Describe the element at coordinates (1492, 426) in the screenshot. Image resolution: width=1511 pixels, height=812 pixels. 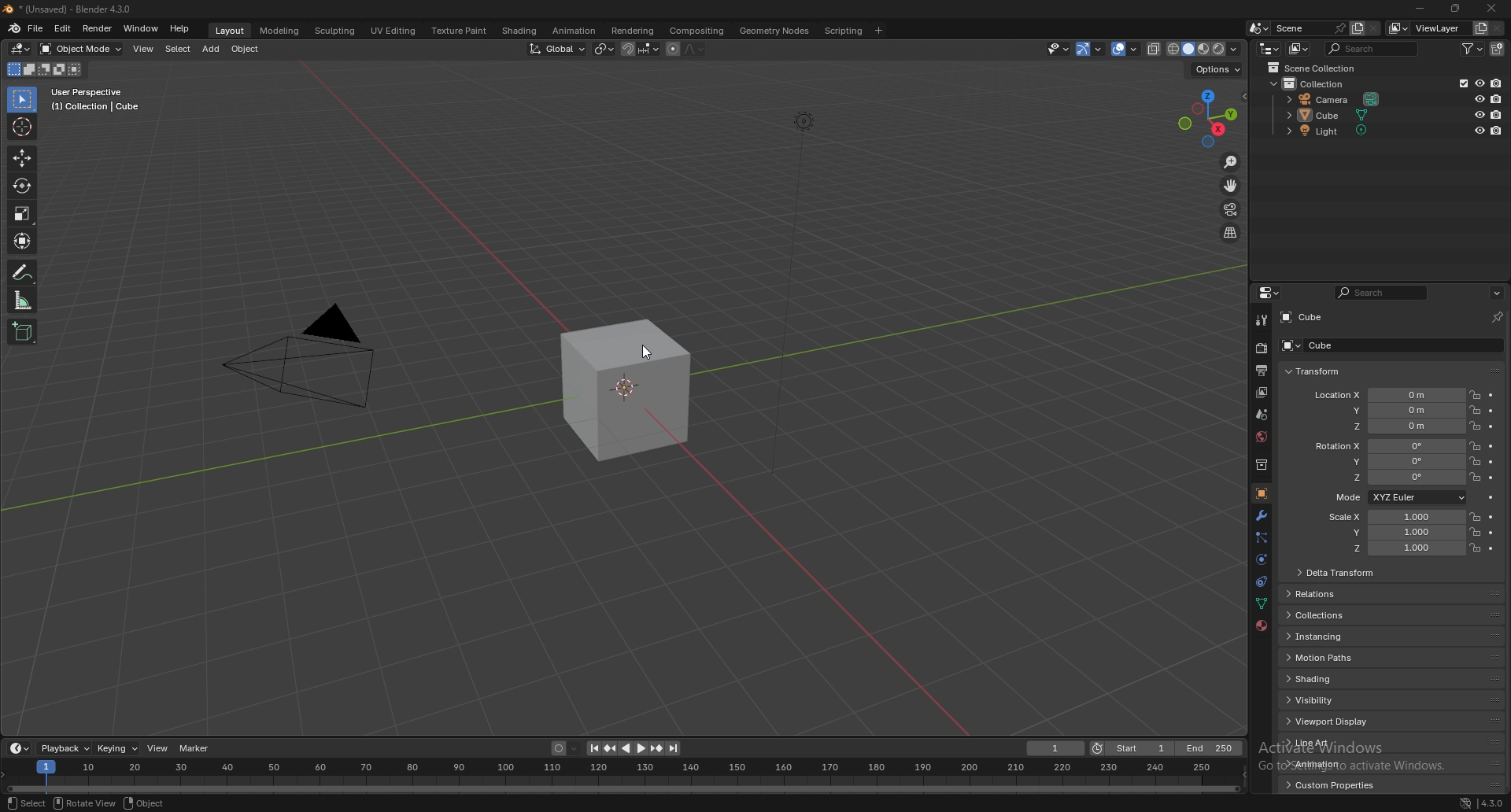
I see `animate property` at that location.